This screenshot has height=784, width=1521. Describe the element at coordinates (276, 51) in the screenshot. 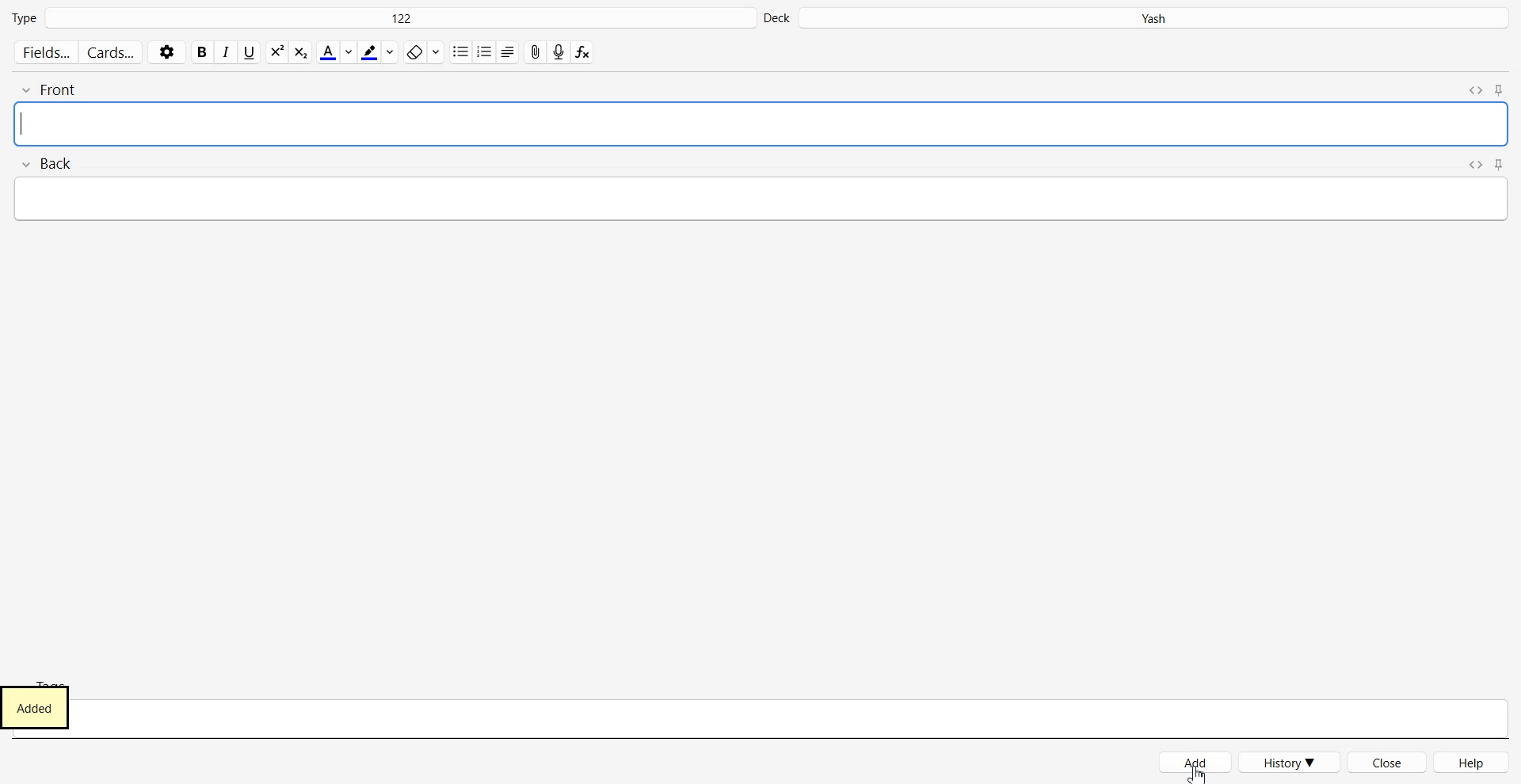

I see `Subscript` at that location.